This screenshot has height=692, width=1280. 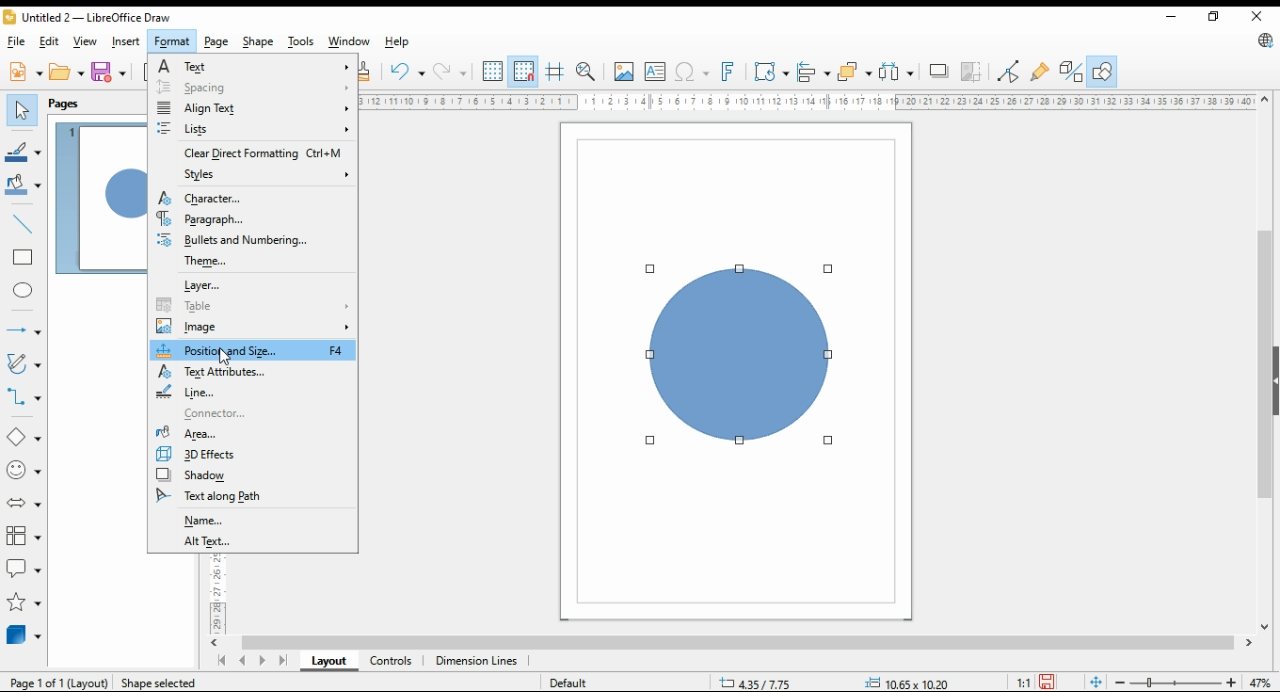 I want to click on symbol shapes, so click(x=23, y=469).